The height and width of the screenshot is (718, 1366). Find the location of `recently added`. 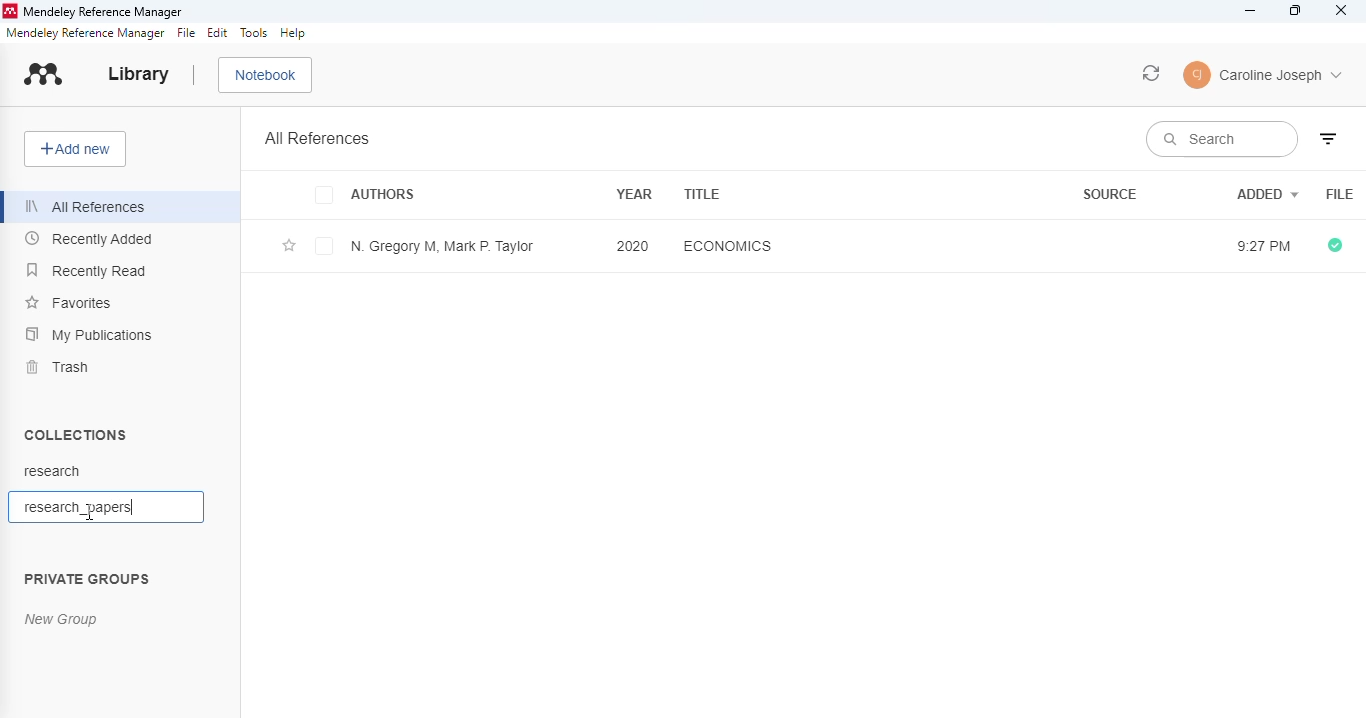

recently added is located at coordinates (90, 238).